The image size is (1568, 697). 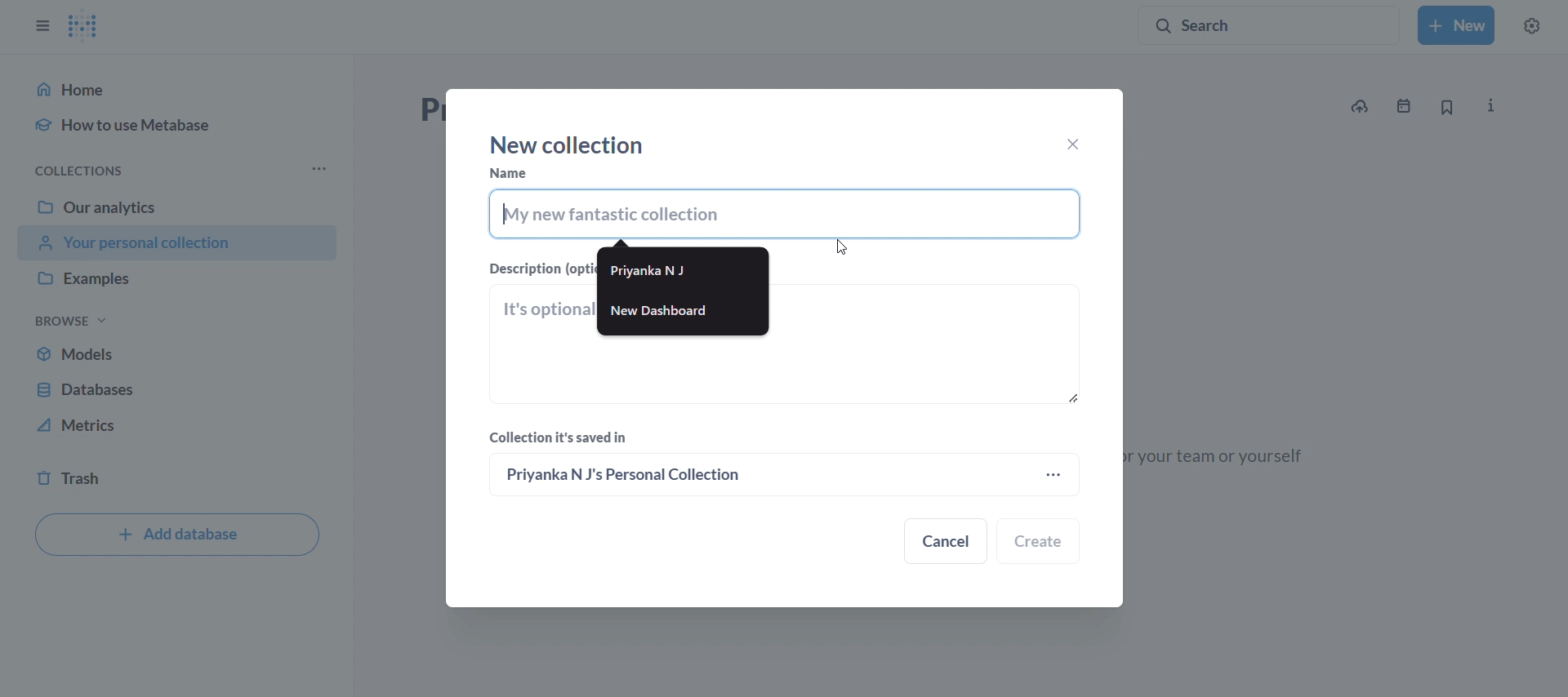 I want to click on close sidebar, so click(x=32, y=20).